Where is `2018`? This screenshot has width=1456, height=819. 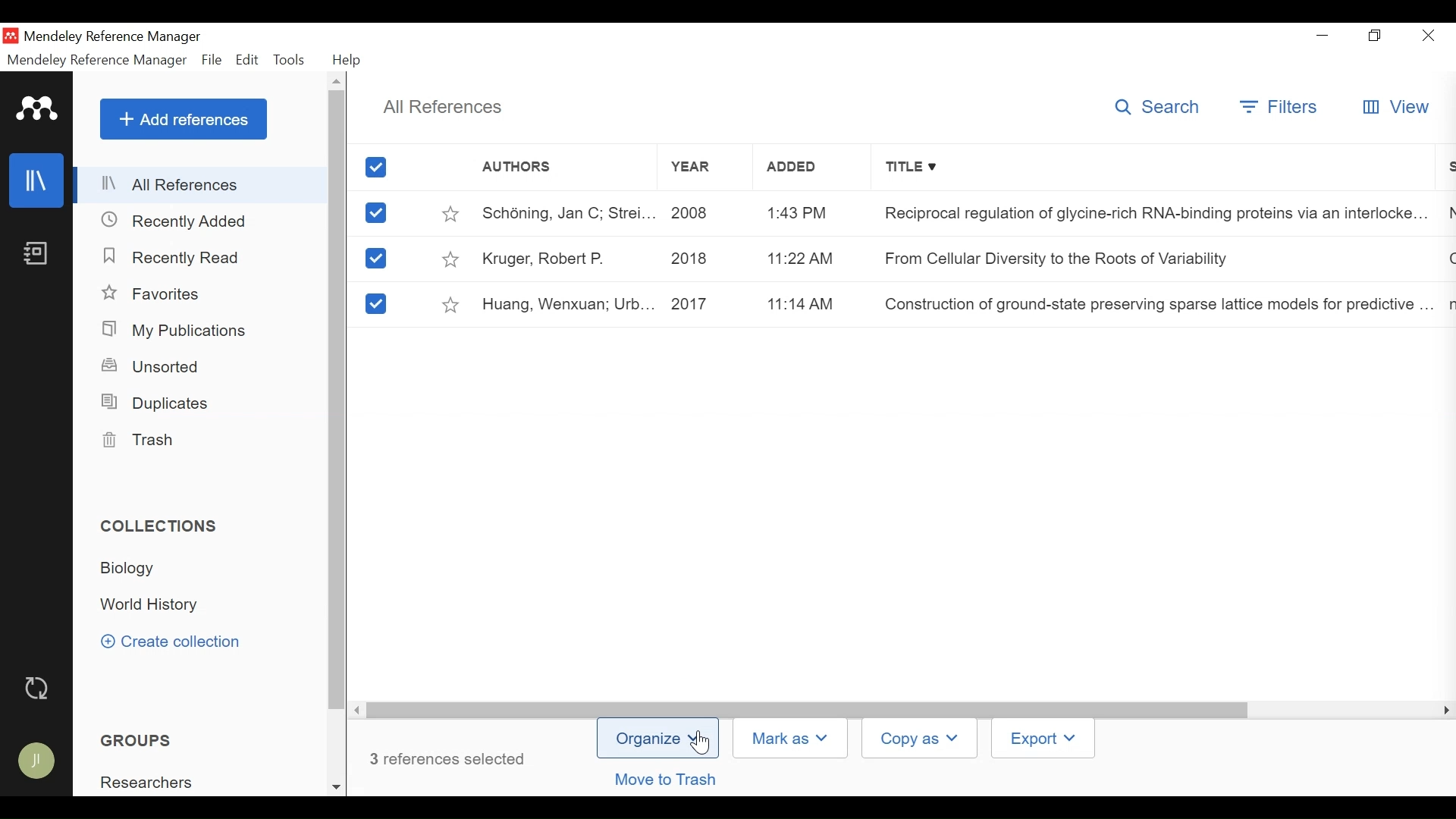
2018 is located at coordinates (701, 258).